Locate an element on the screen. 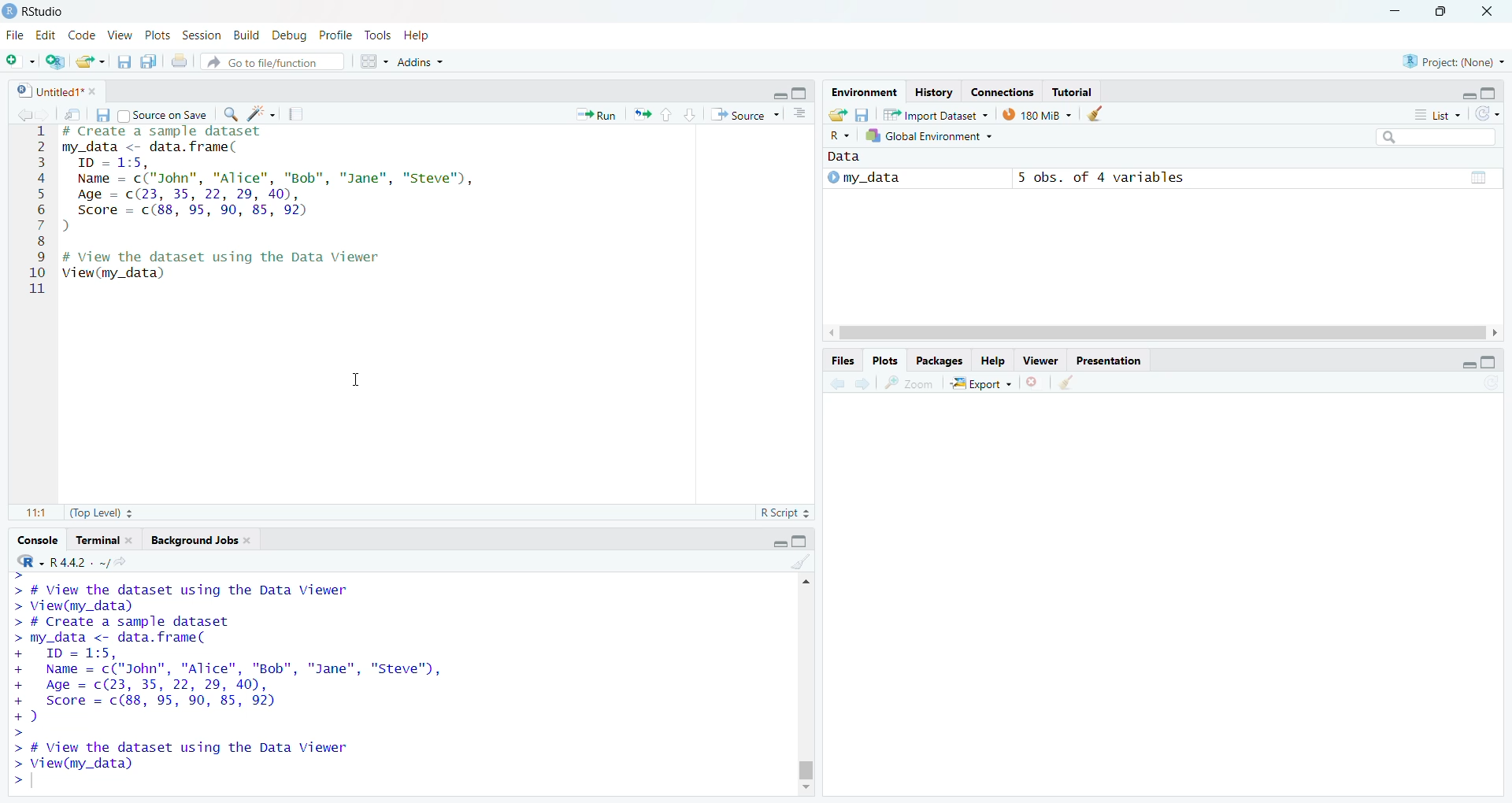 The width and height of the screenshot is (1512, 803). History is located at coordinates (932, 94).